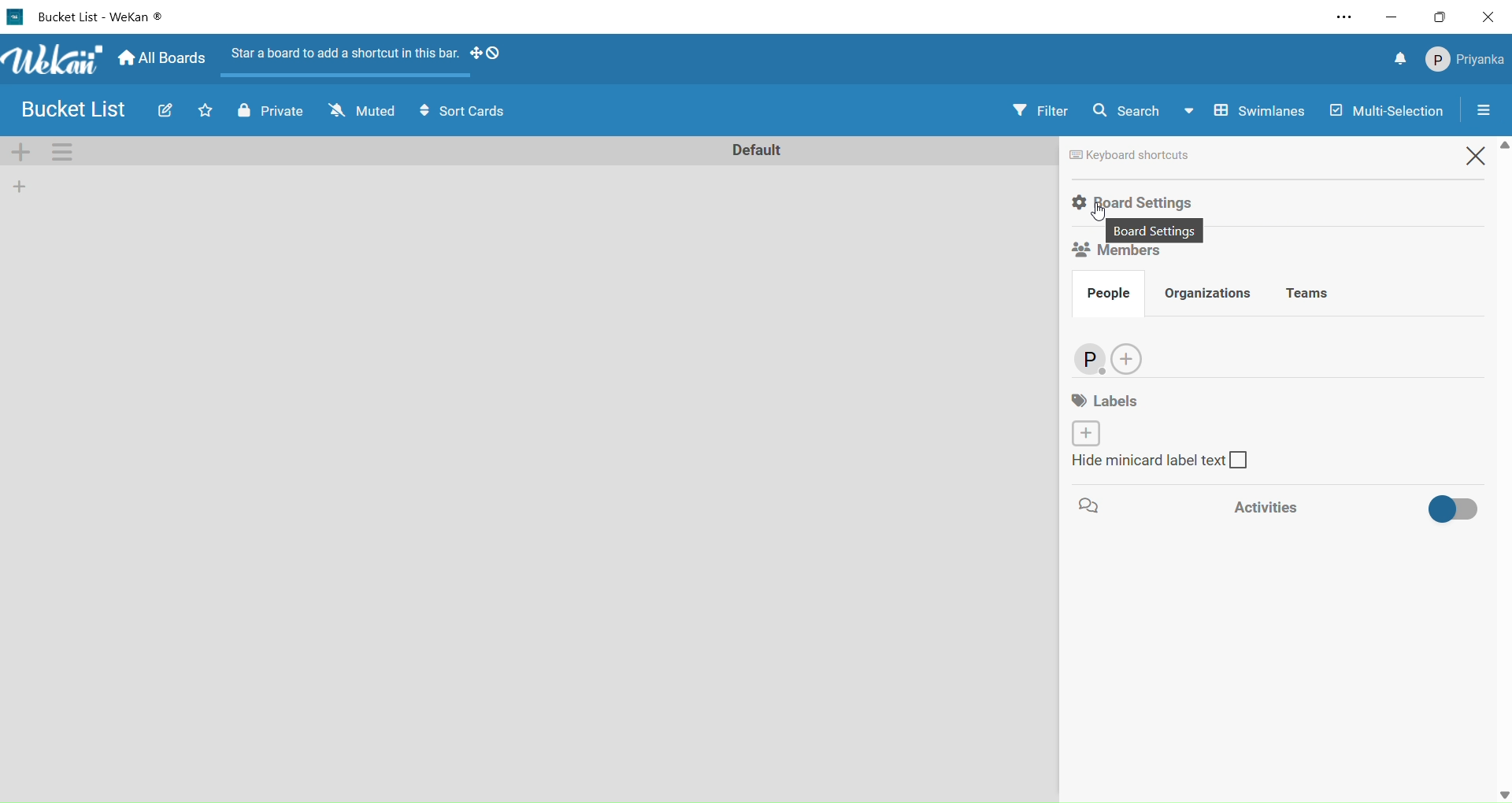 The height and width of the screenshot is (803, 1512). Describe the element at coordinates (17, 17) in the screenshot. I see `logo` at that location.